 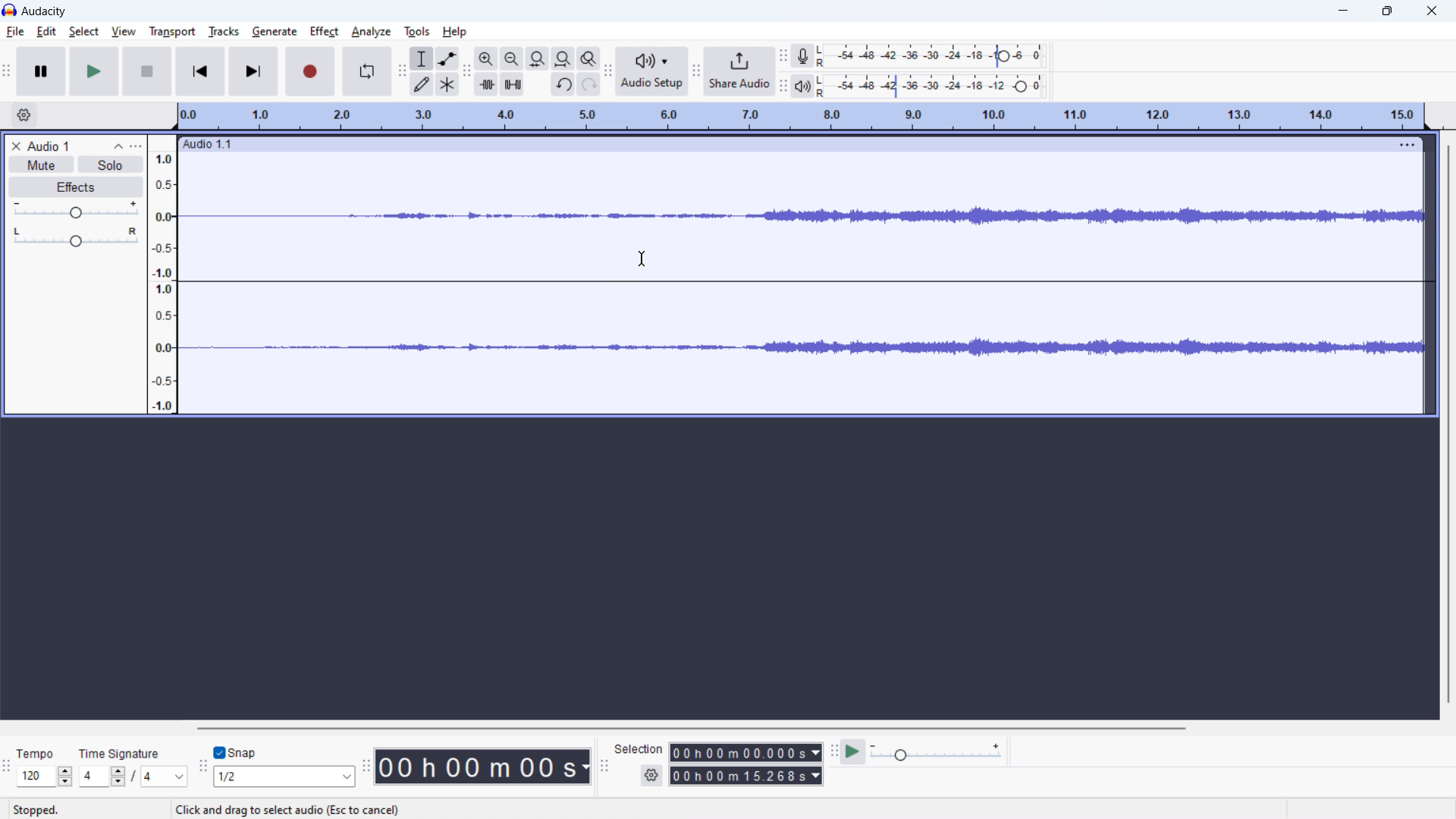 I want to click on selection toolbar, so click(x=603, y=765).